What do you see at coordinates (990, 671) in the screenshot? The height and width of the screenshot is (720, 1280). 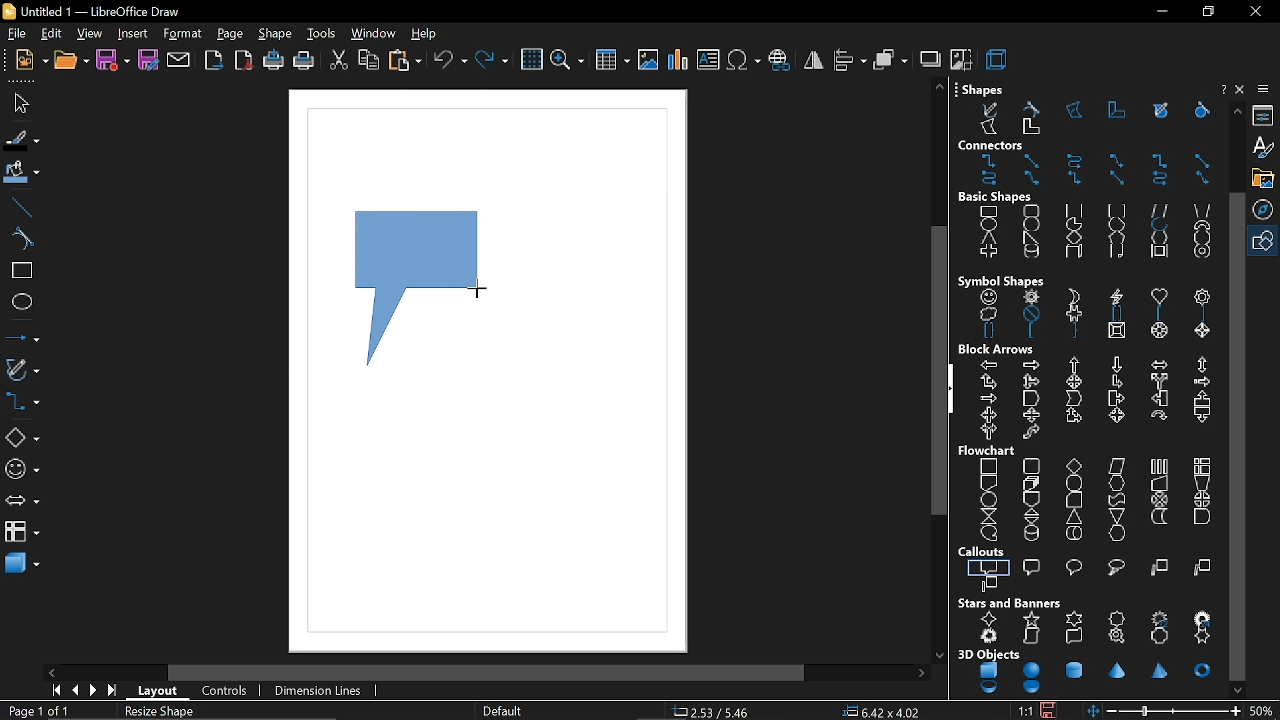 I see `cube` at bounding box center [990, 671].